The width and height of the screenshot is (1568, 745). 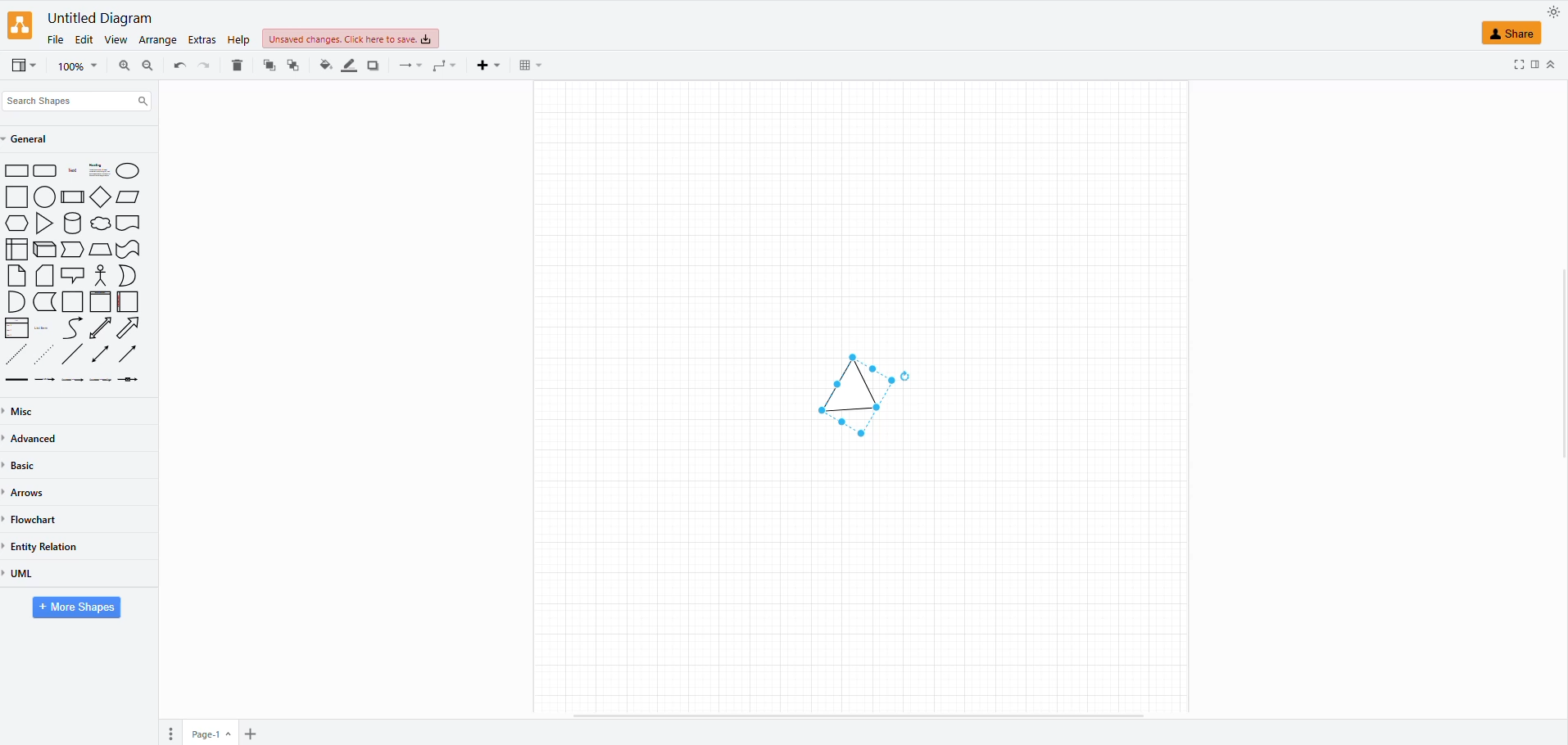 I want to click on Labelled Arrow, so click(x=132, y=381).